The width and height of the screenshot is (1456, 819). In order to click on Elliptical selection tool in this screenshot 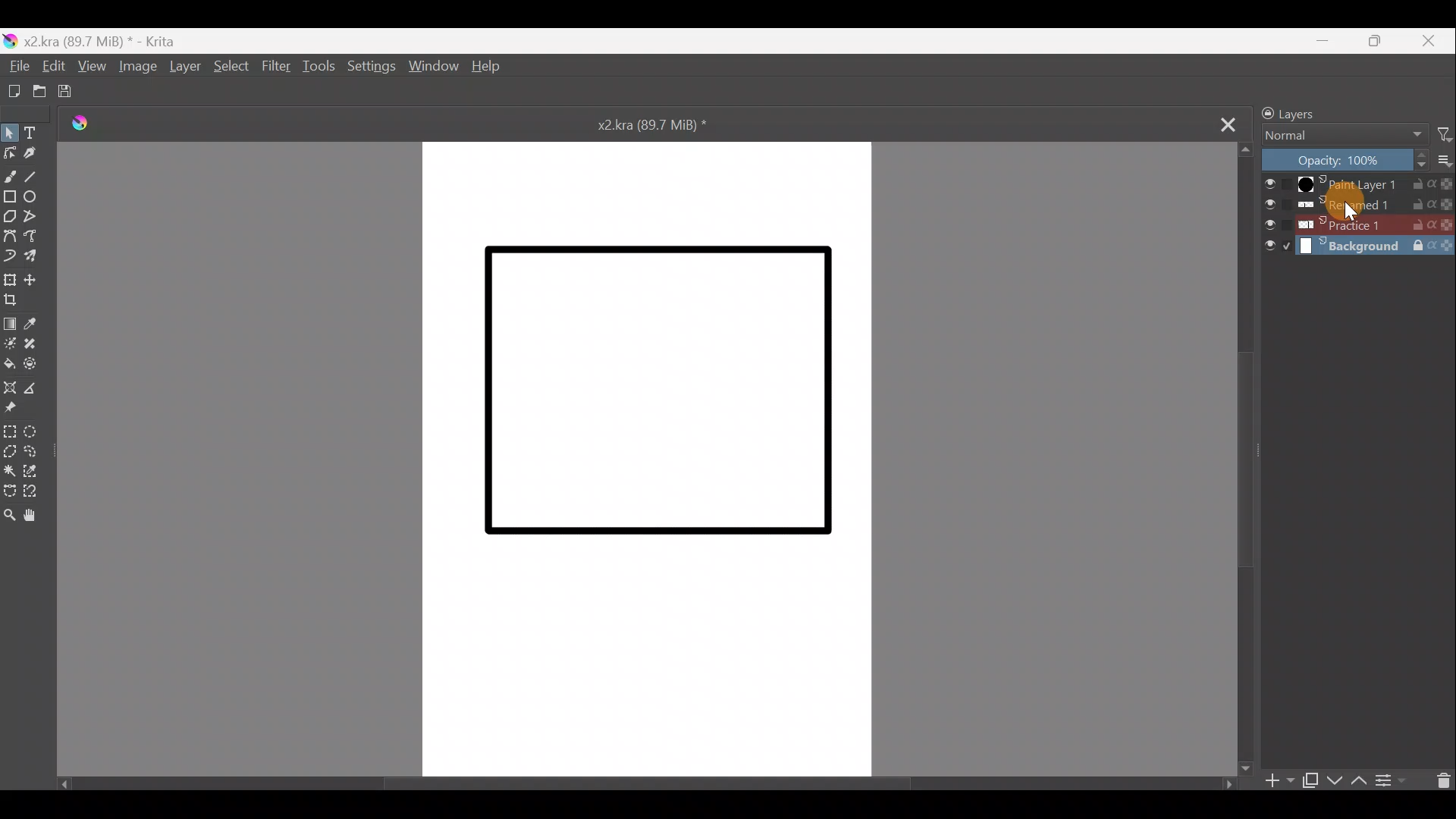, I will do `click(36, 431)`.